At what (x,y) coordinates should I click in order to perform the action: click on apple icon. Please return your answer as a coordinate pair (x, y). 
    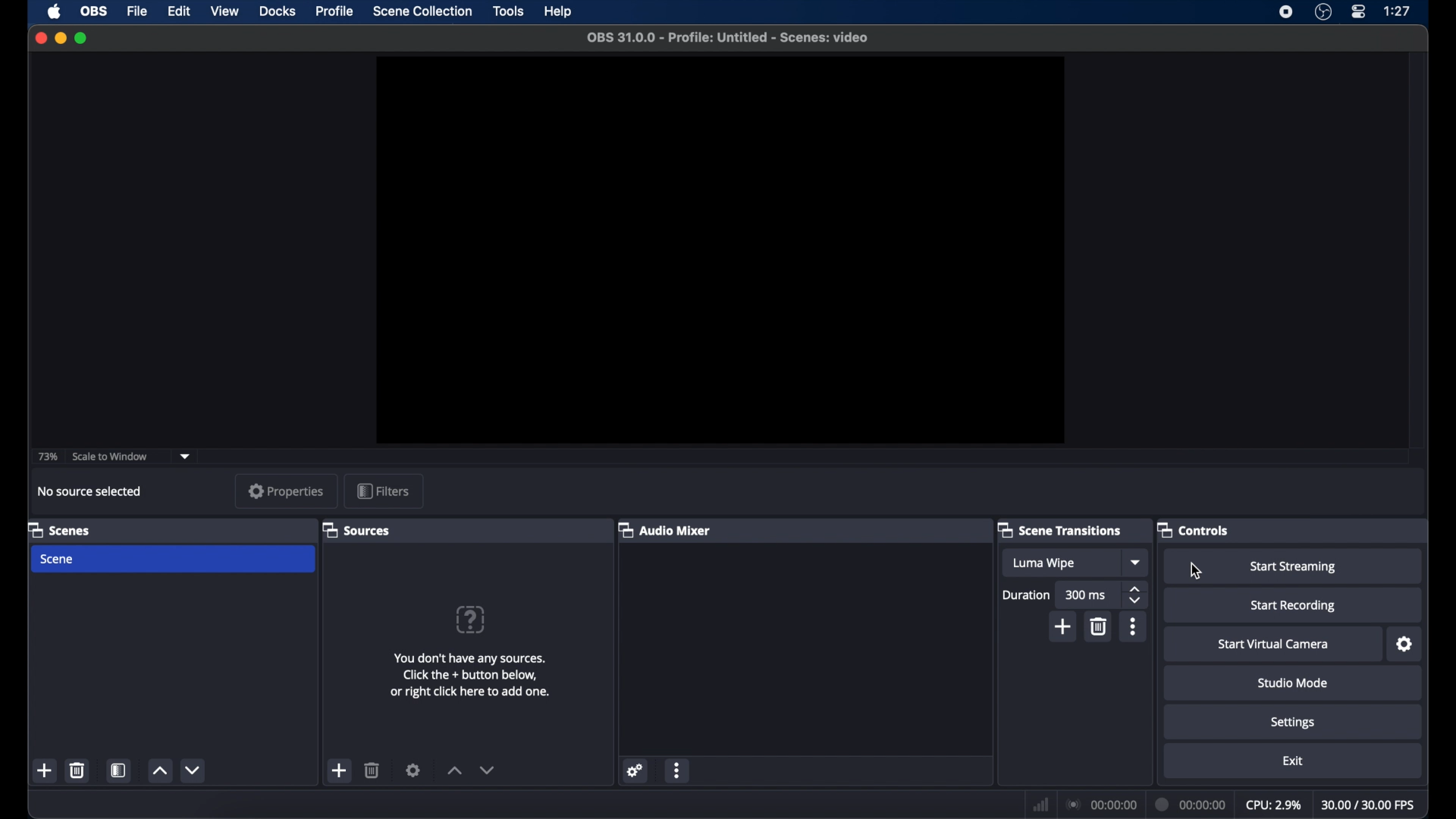
    Looking at the image, I should click on (55, 11).